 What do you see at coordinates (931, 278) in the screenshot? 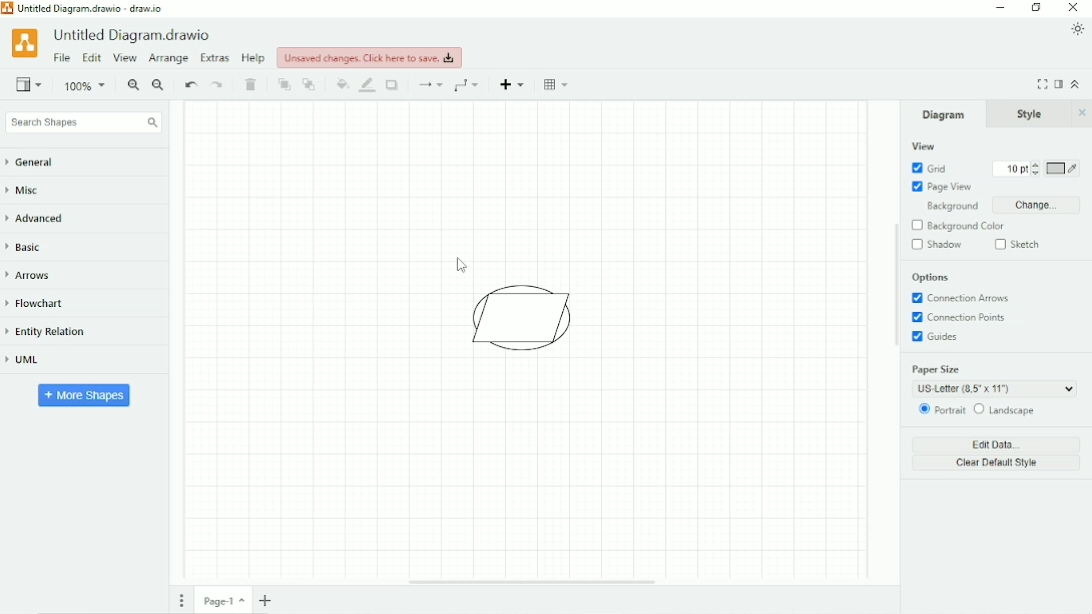
I see `Options` at bounding box center [931, 278].